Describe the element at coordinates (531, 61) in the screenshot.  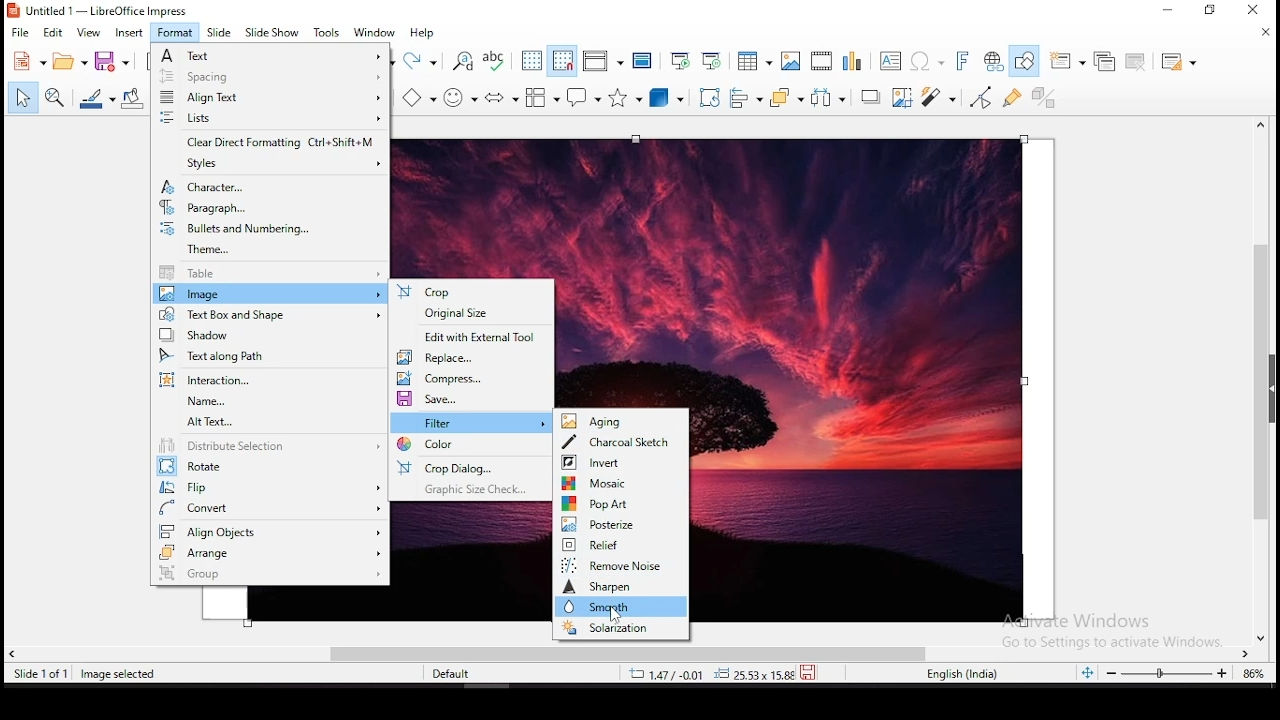
I see `display grid` at that location.